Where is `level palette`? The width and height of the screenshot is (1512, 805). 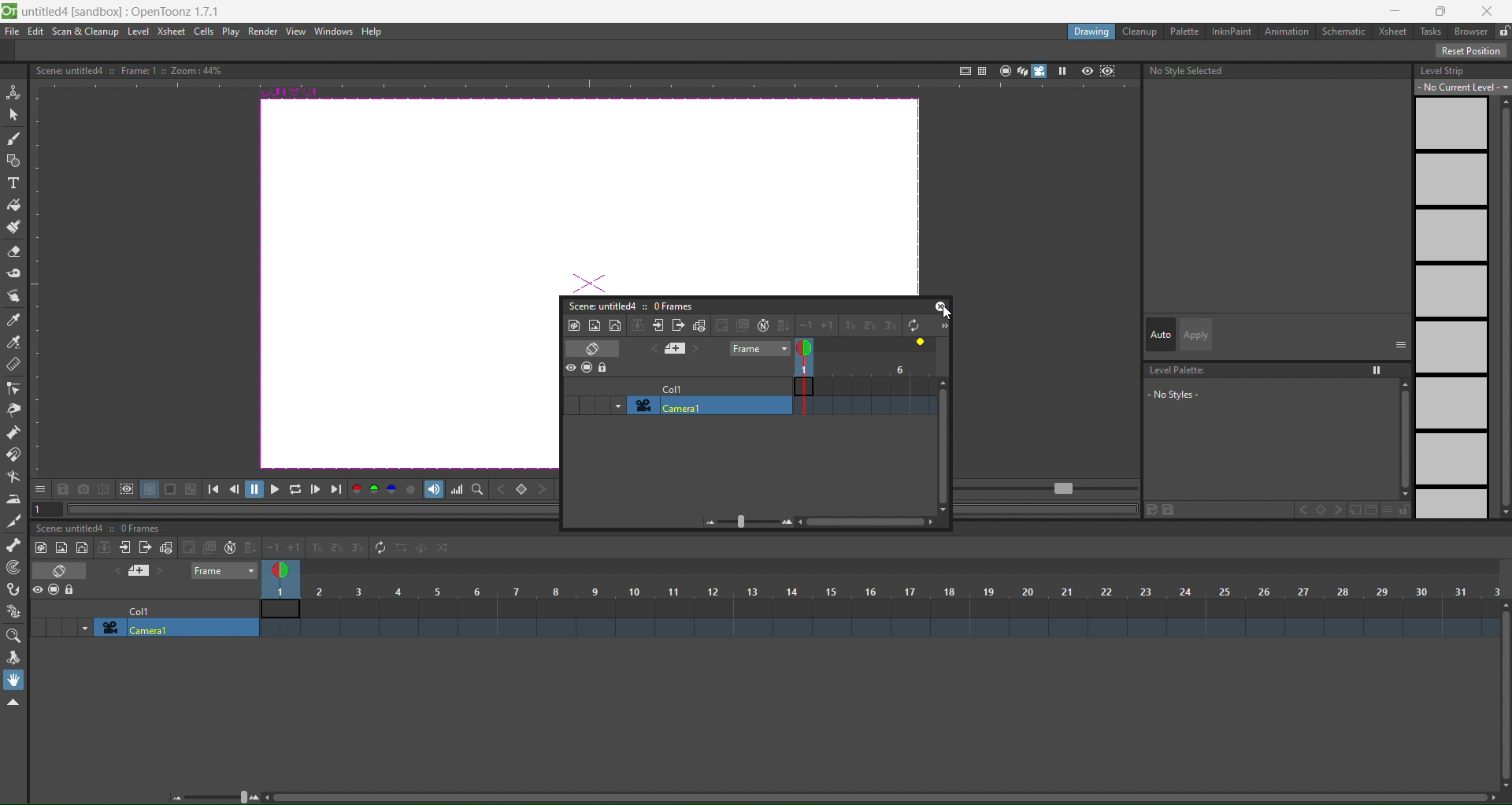
level palette is located at coordinates (1274, 395).